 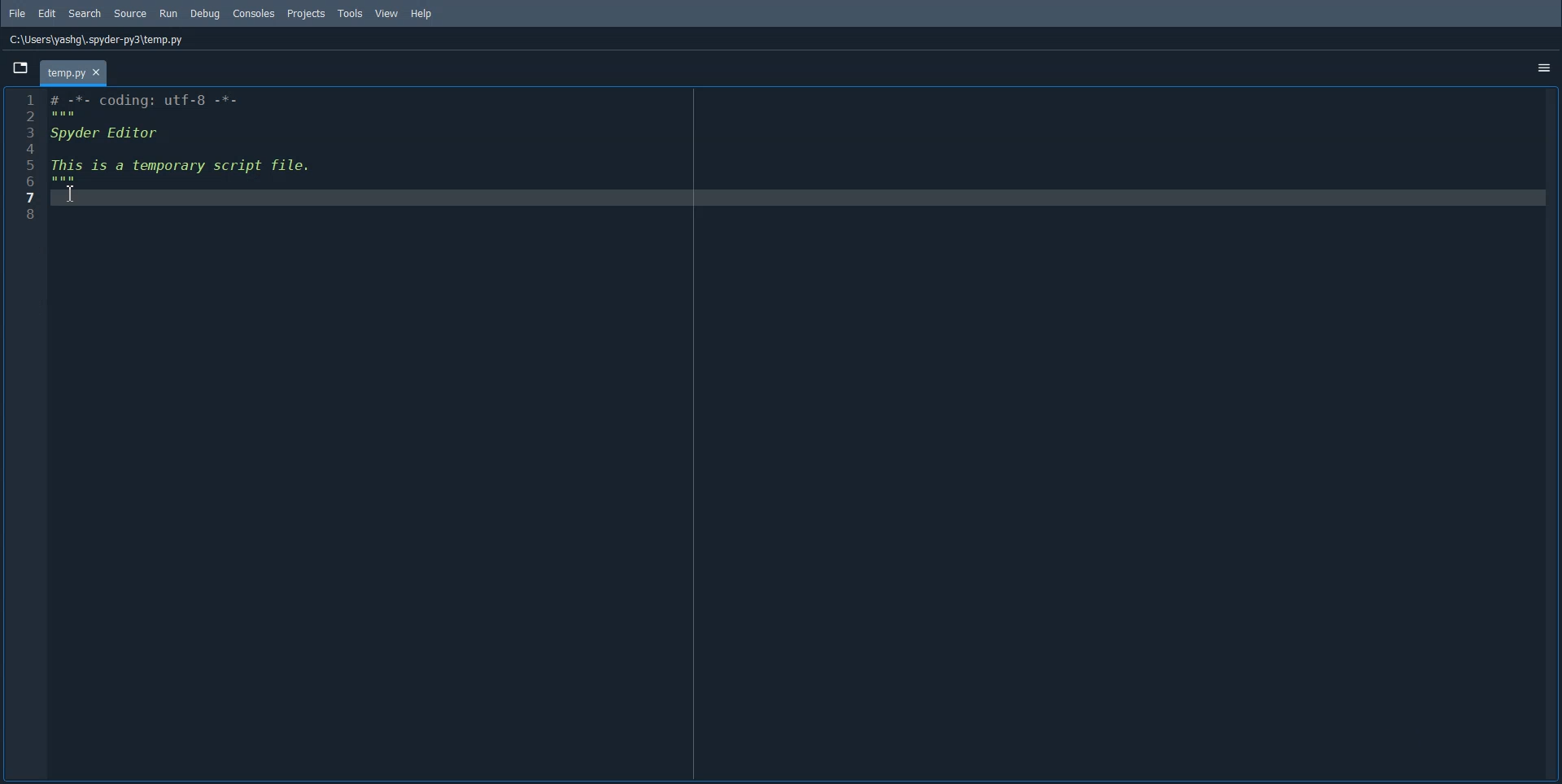 What do you see at coordinates (254, 13) in the screenshot?
I see `Console` at bounding box center [254, 13].